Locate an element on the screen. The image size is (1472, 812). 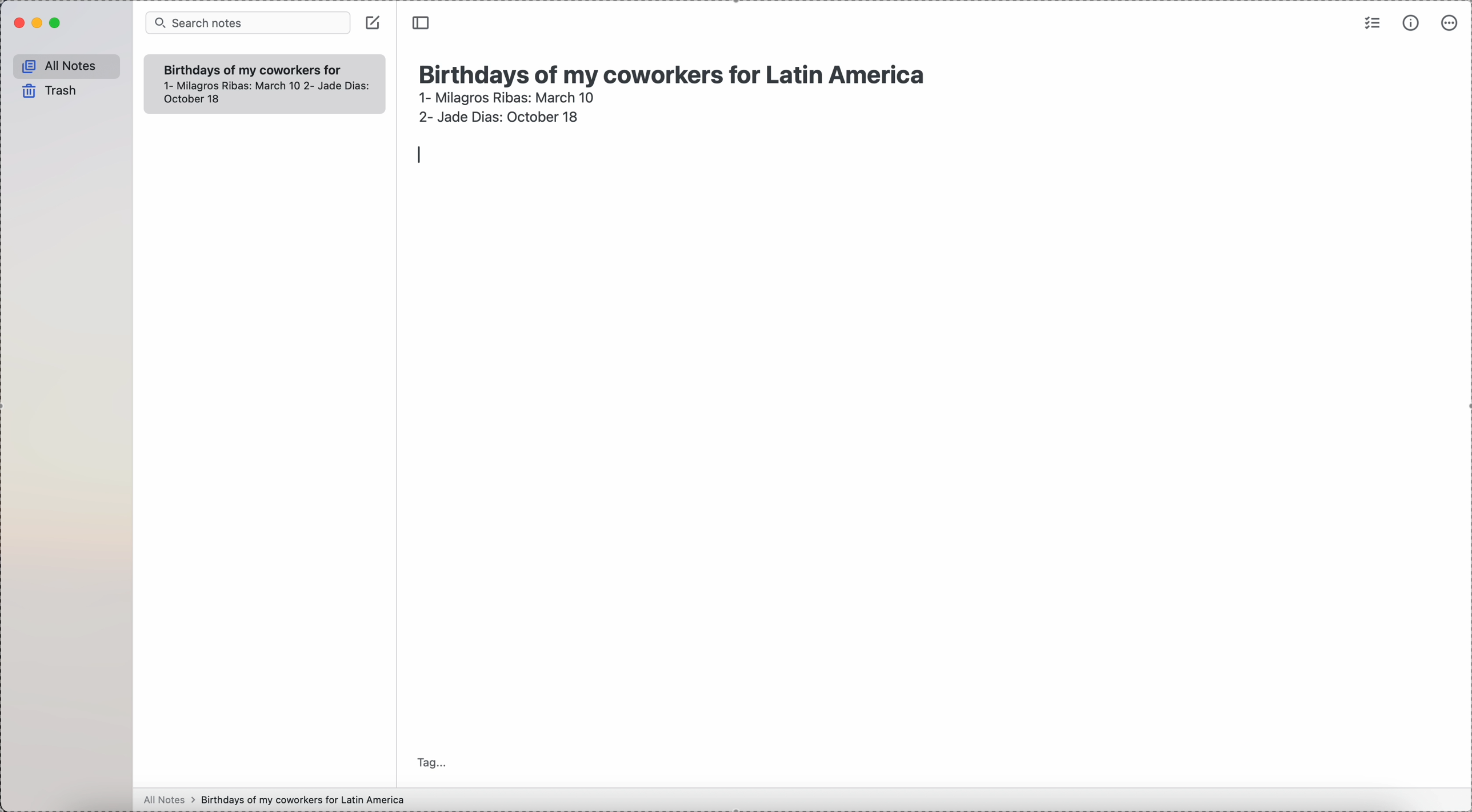
metrics is located at coordinates (1413, 22).